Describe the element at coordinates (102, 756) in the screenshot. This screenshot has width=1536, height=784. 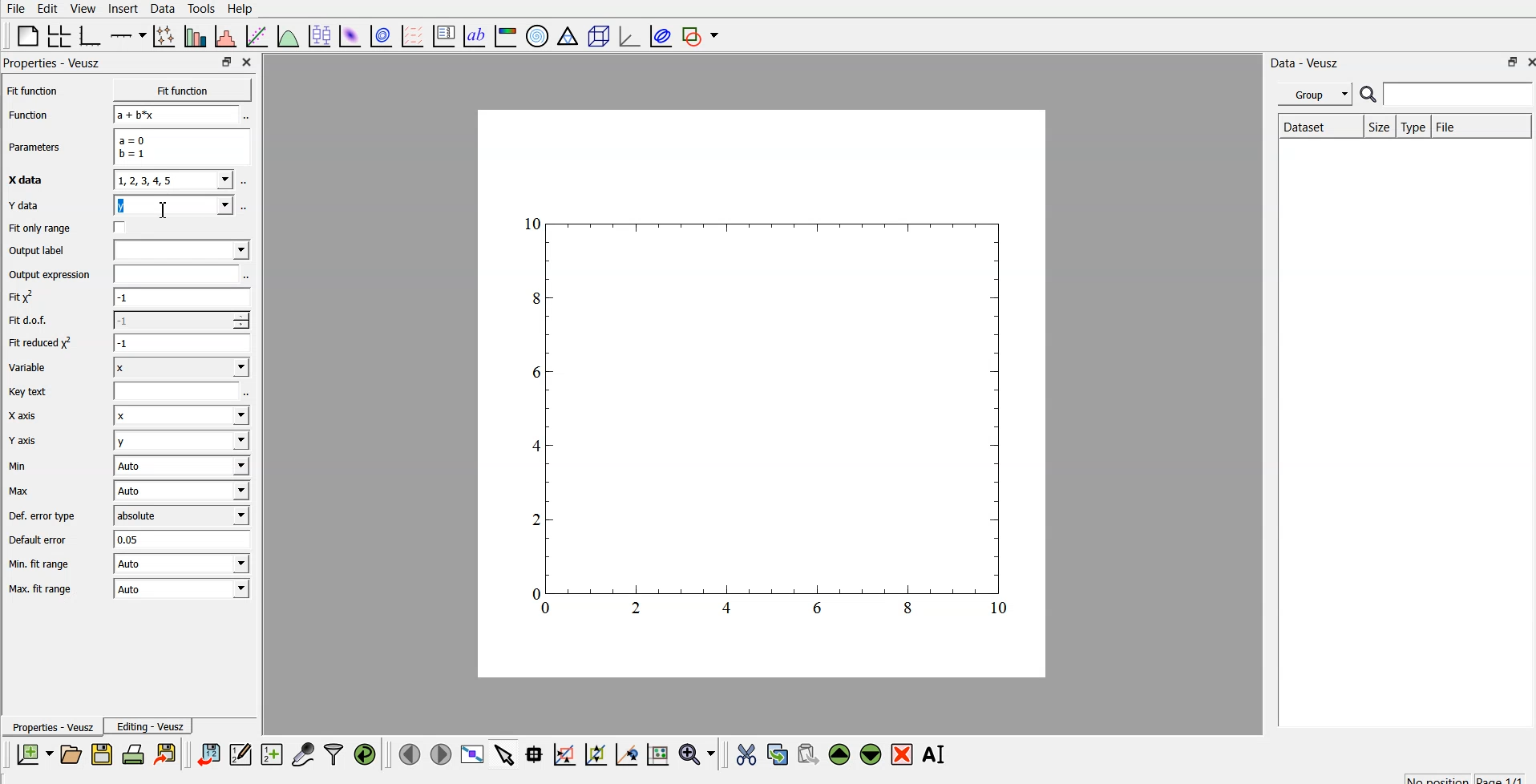
I see `save` at that location.